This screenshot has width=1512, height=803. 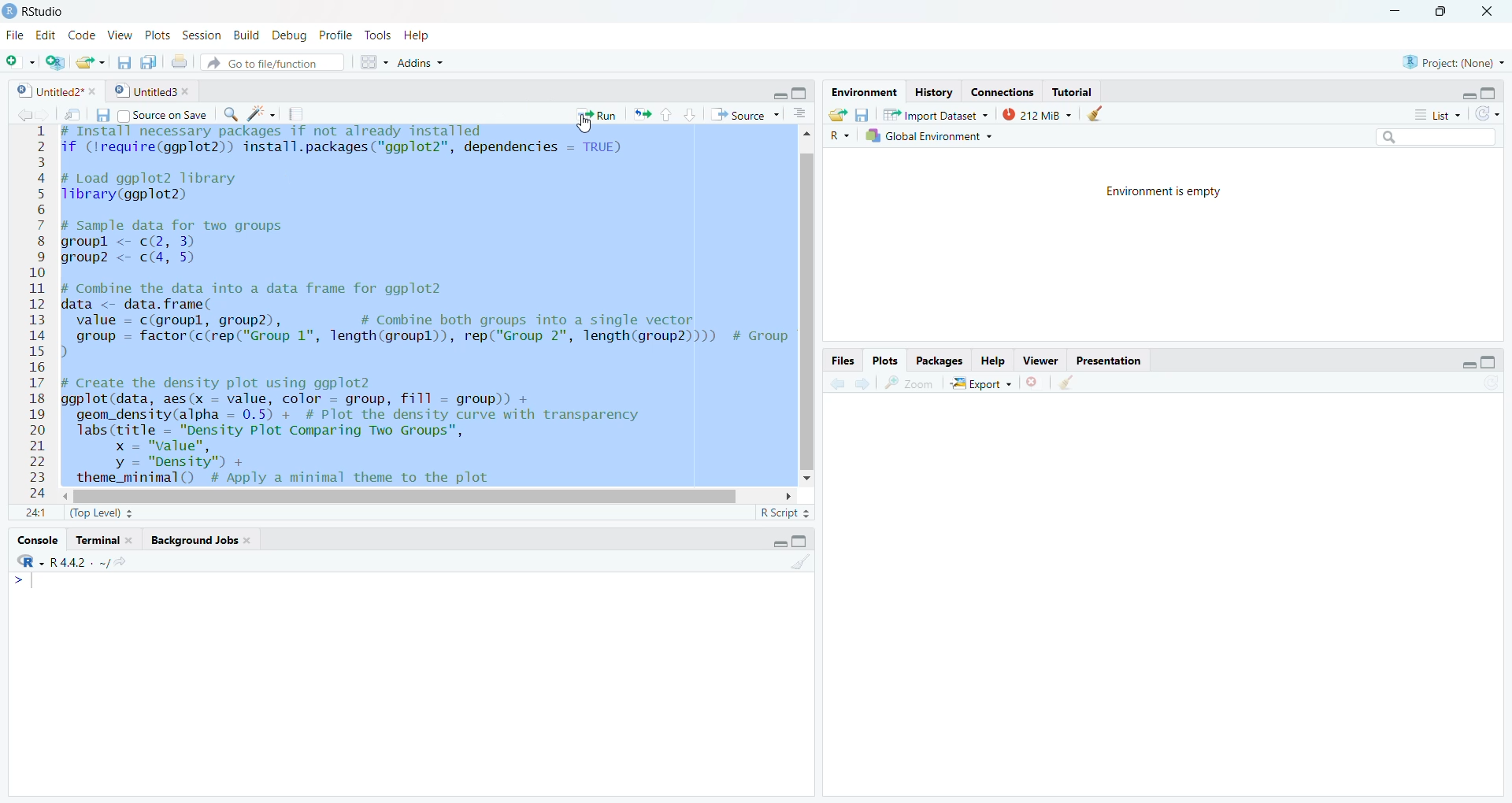 I want to click on search, so click(x=228, y=113).